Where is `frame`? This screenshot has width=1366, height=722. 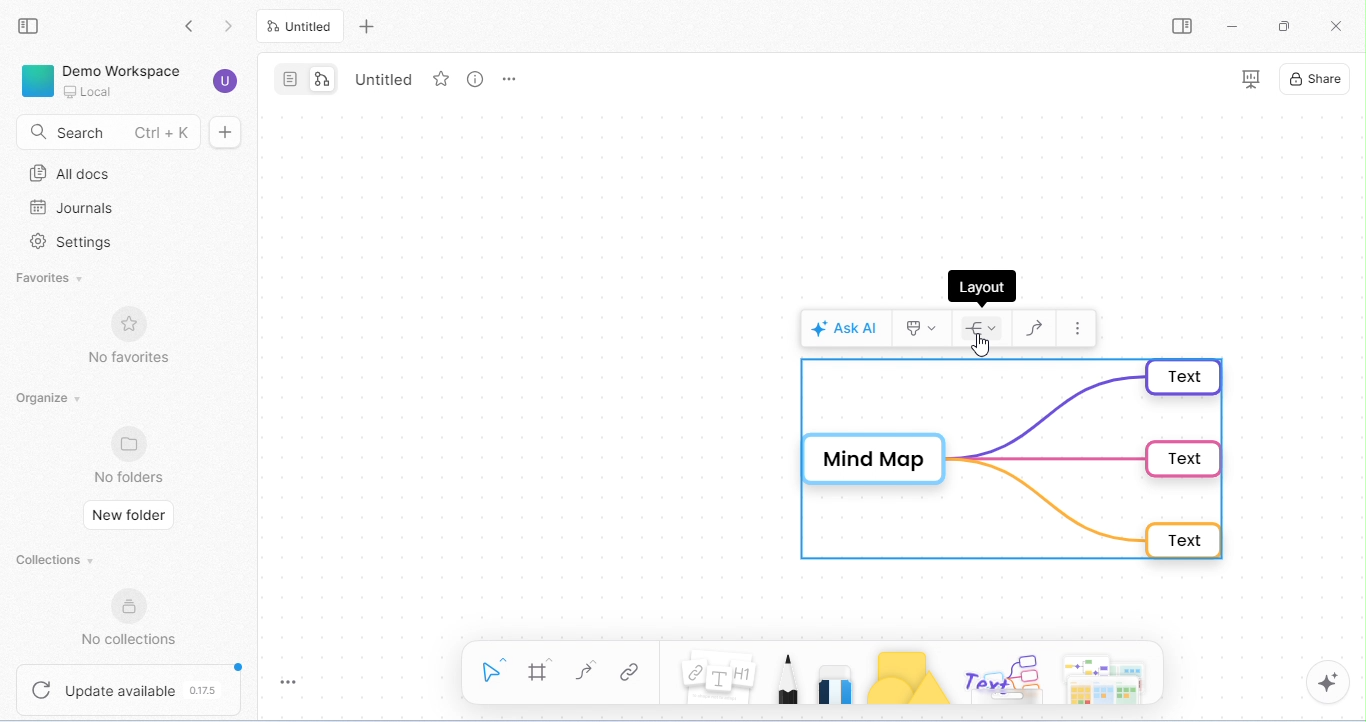
frame is located at coordinates (540, 671).